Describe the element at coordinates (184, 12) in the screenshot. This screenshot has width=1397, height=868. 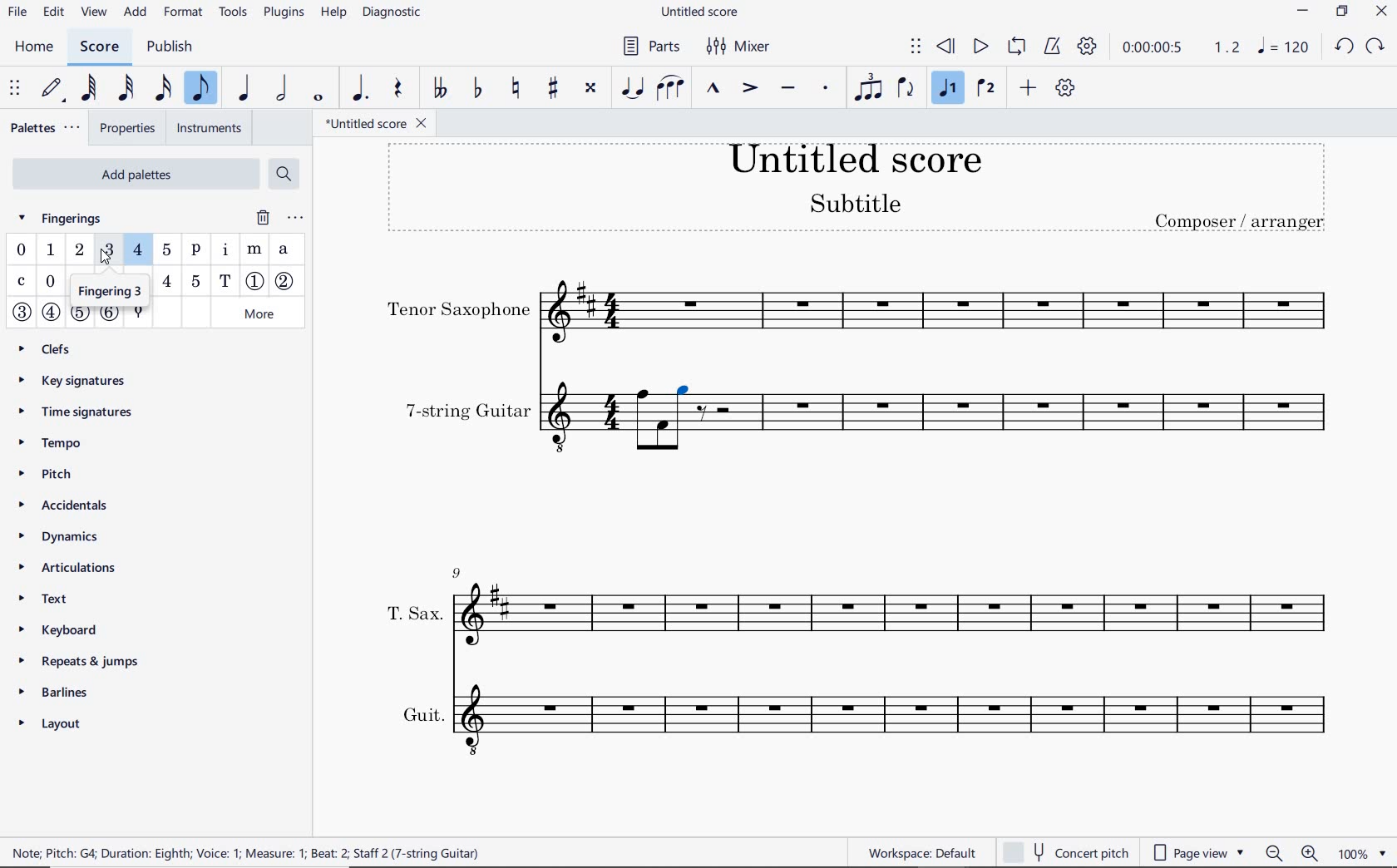
I see `FORMAT` at that location.